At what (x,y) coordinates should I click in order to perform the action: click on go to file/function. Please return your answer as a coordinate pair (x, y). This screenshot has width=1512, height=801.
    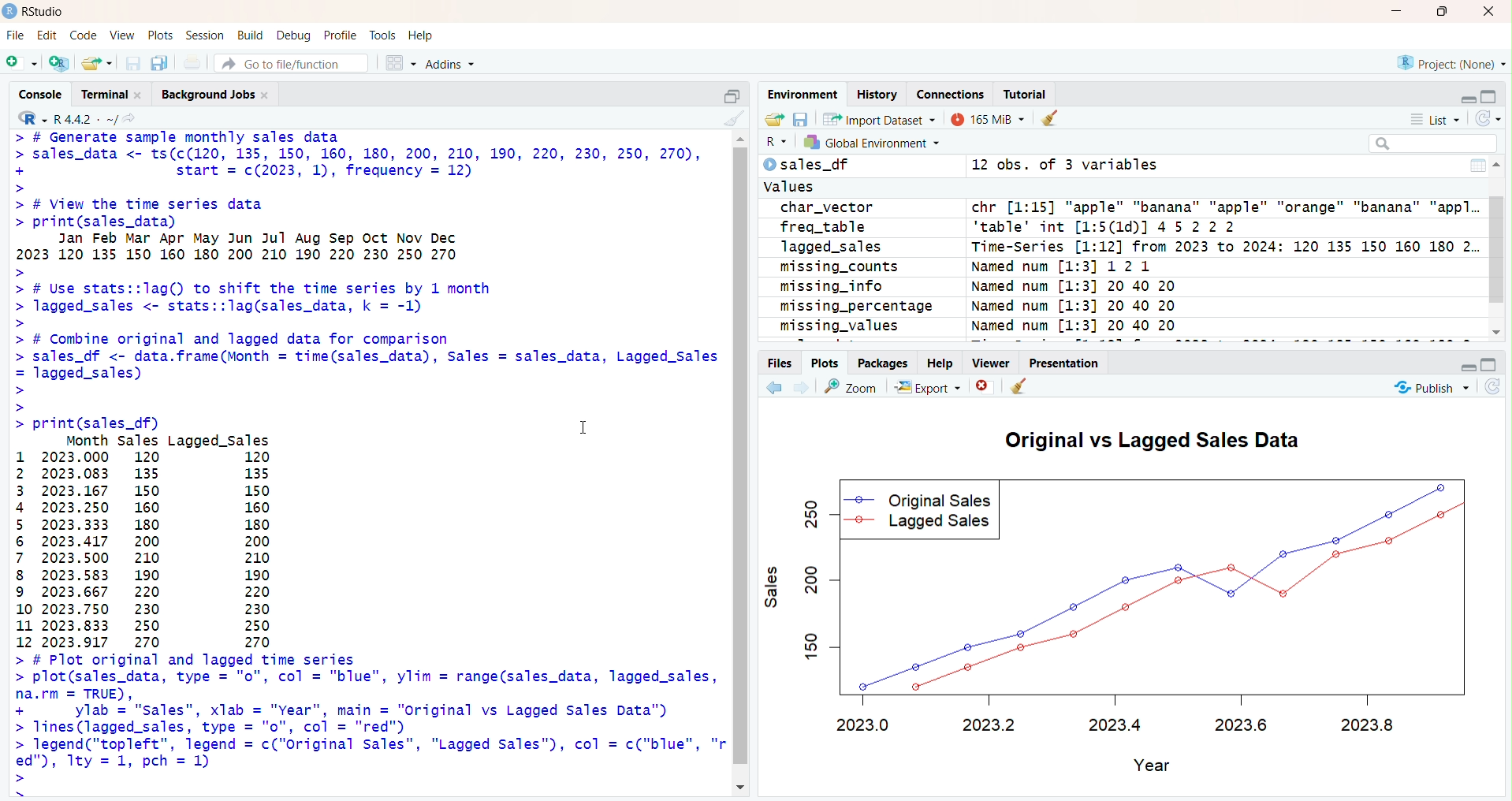
    Looking at the image, I should click on (285, 64).